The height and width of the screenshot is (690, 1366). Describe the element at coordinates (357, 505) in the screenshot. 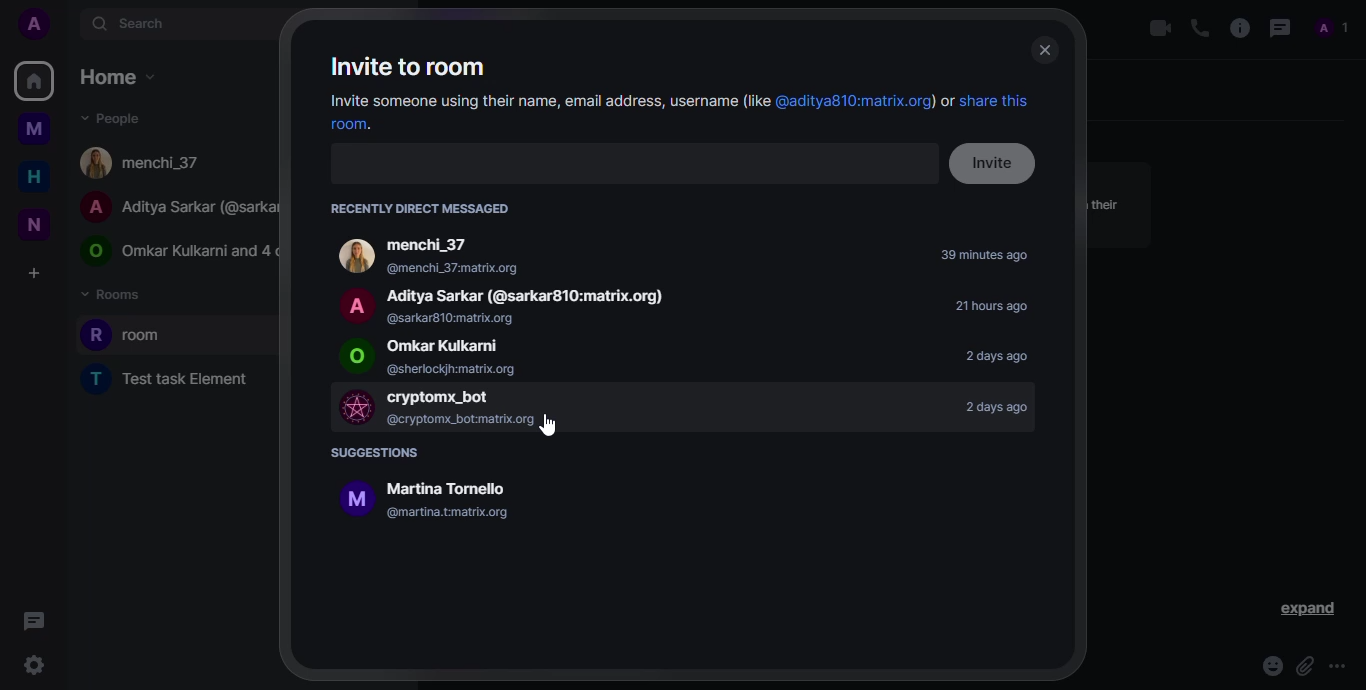

I see `logo` at that location.